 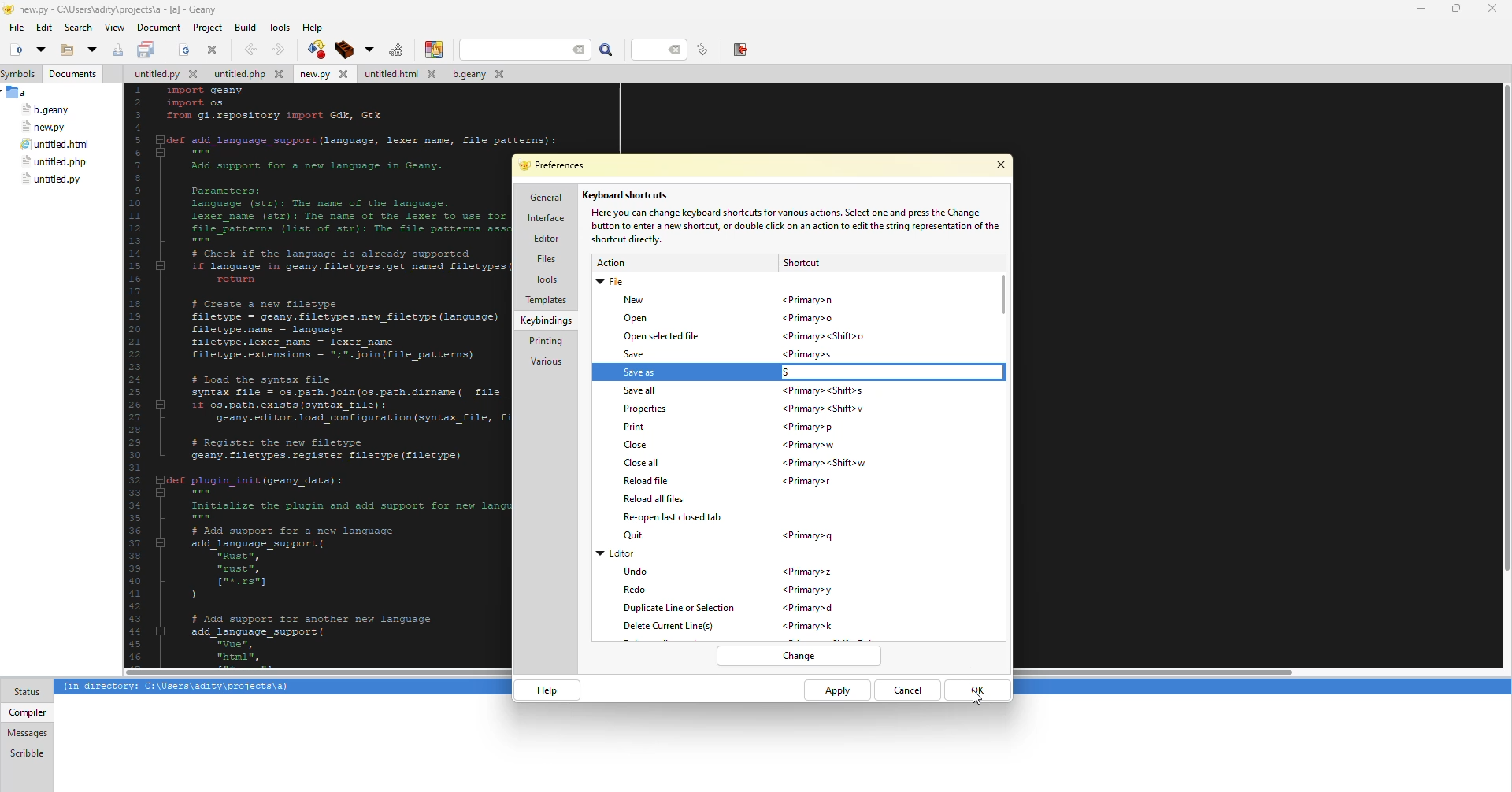 What do you see at coordinates (663, 337) in the screenshot?
I see `open selected` at bounding box center [663, 337].